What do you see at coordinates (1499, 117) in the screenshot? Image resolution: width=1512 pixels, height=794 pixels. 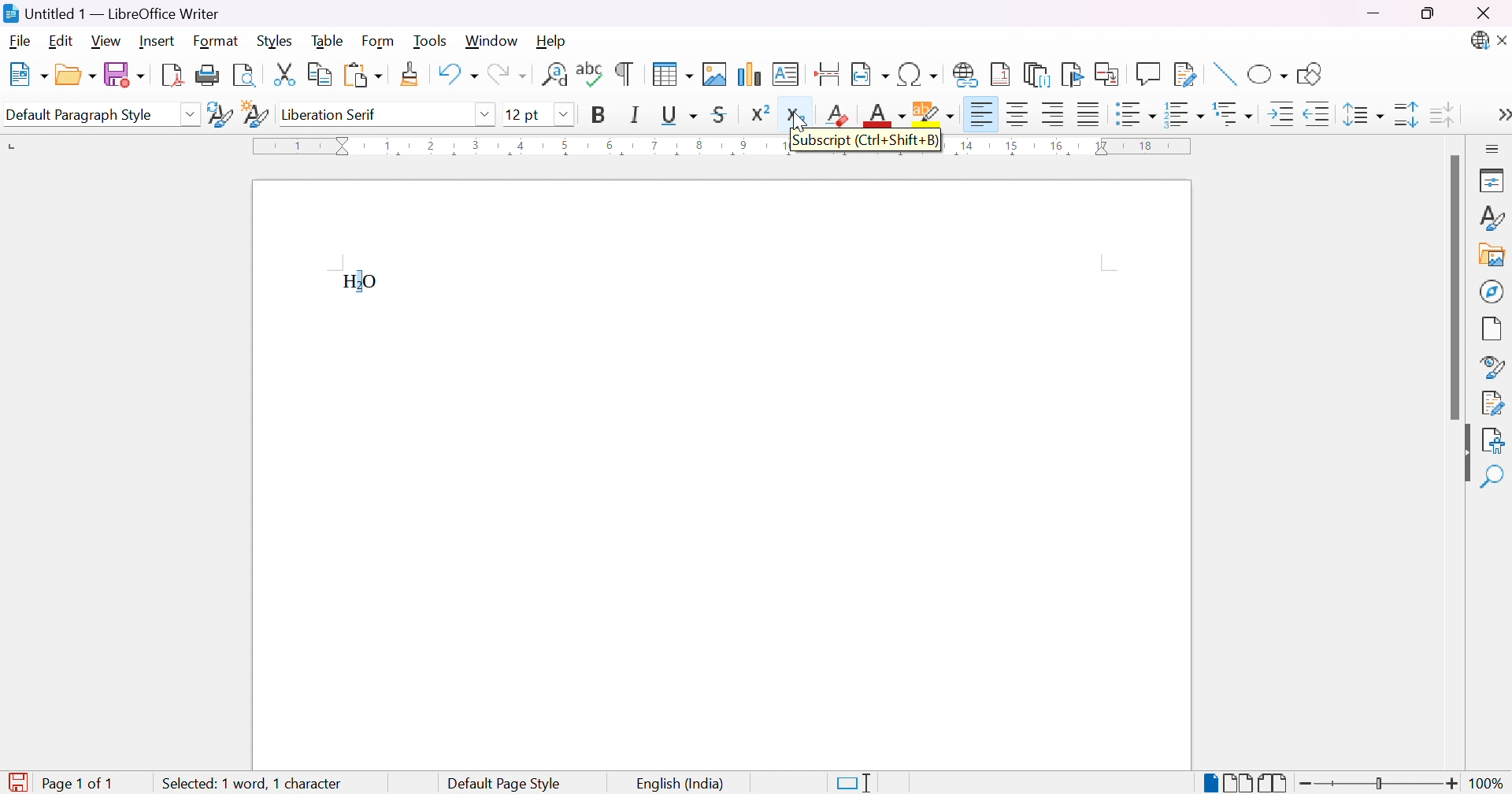 I see `More` at bounding box center [1499, 117].